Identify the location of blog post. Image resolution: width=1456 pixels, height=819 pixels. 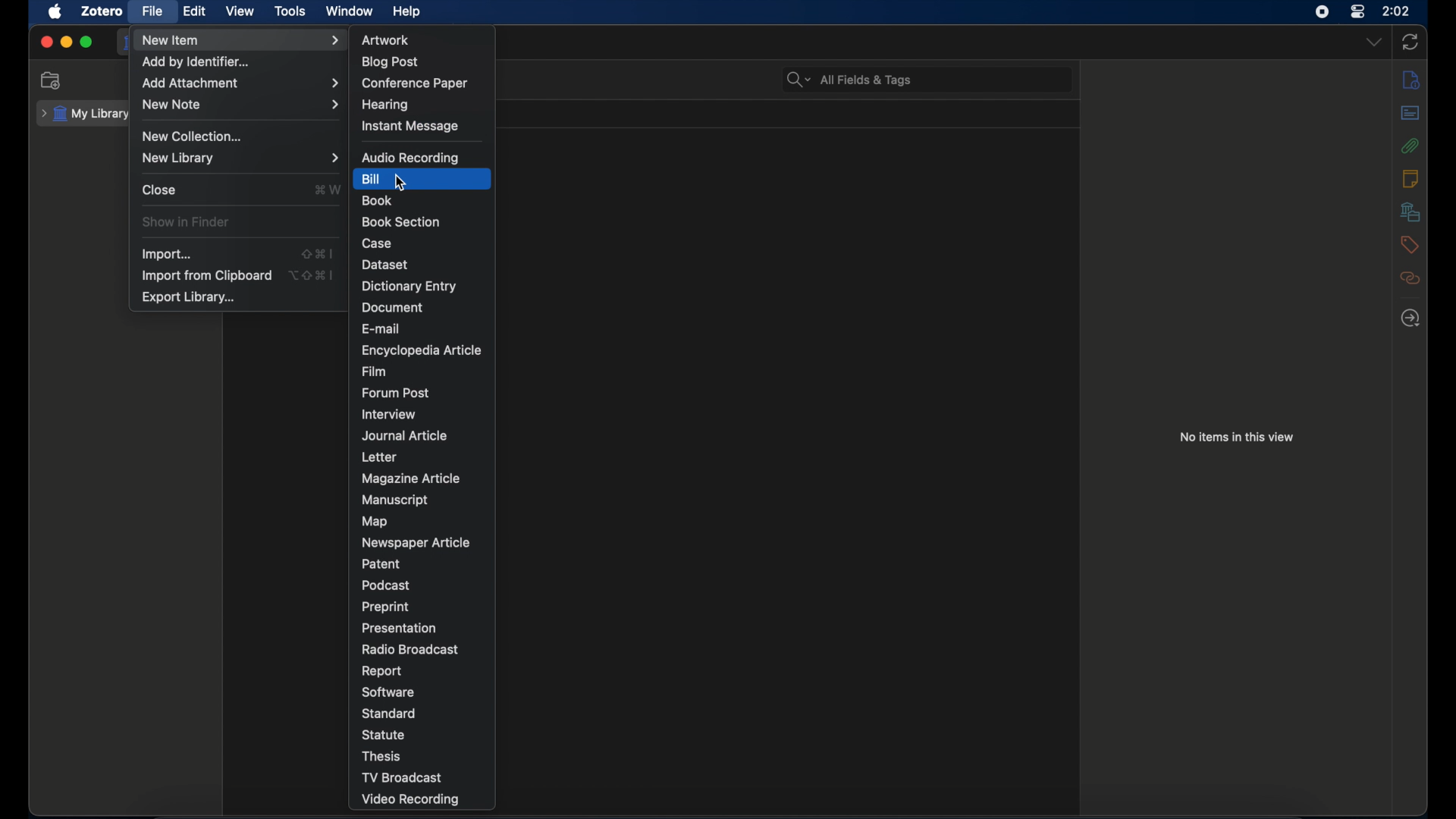
(392, 62).